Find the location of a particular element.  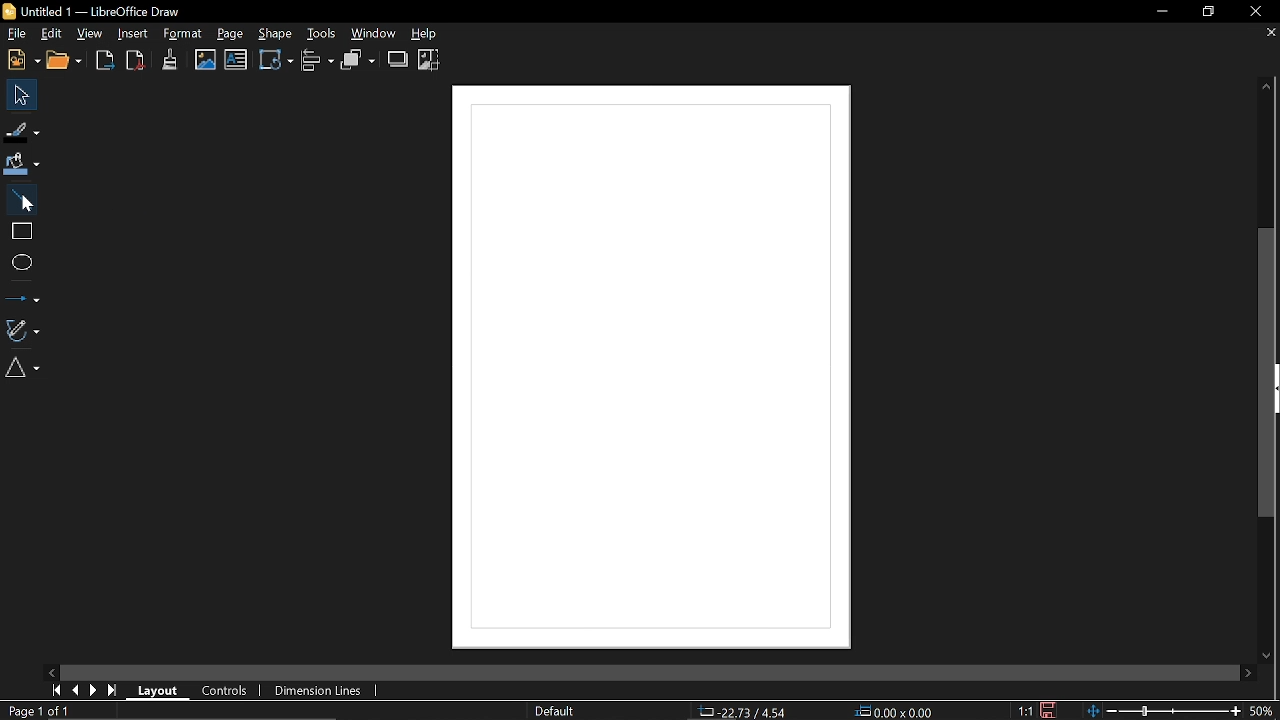

Move left is located at coordinates (54, 671).